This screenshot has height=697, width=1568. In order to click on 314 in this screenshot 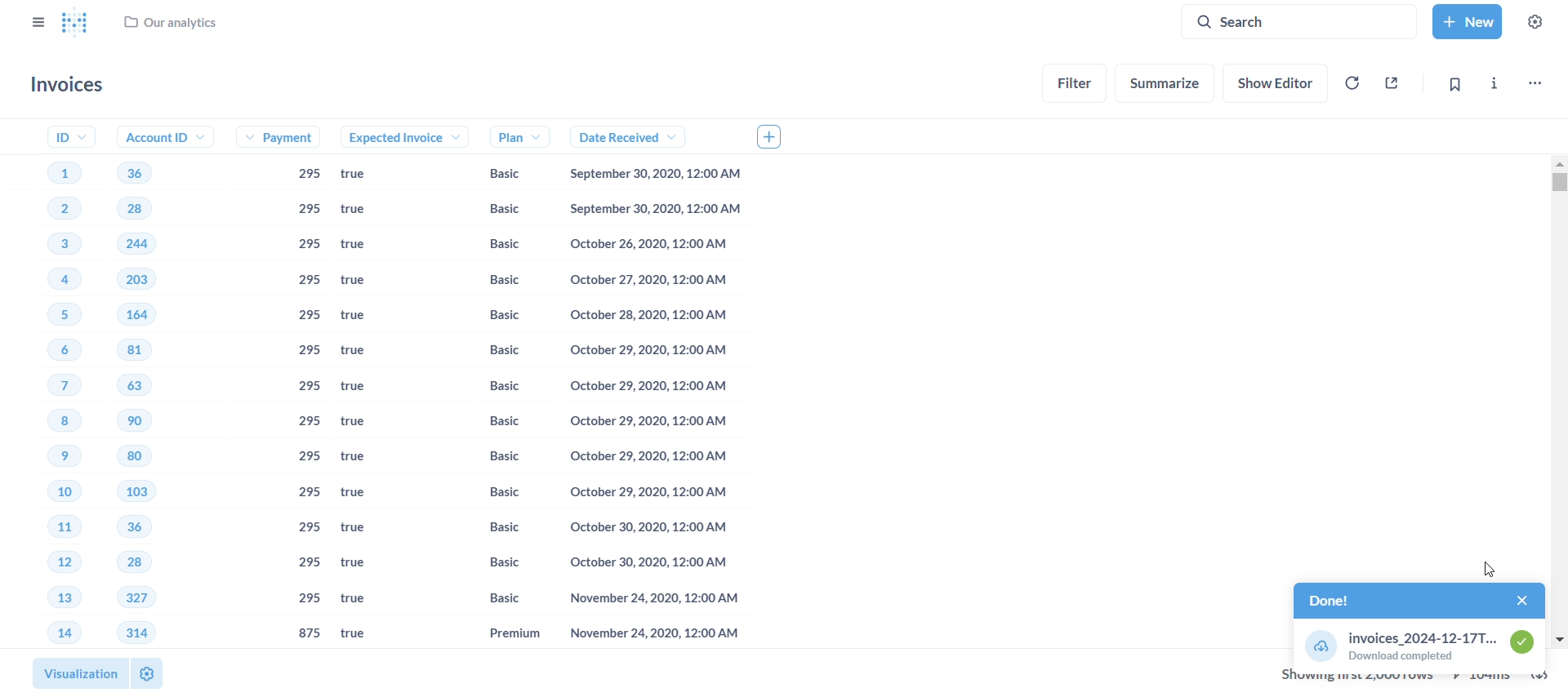, I will do `click(136, 632)`.